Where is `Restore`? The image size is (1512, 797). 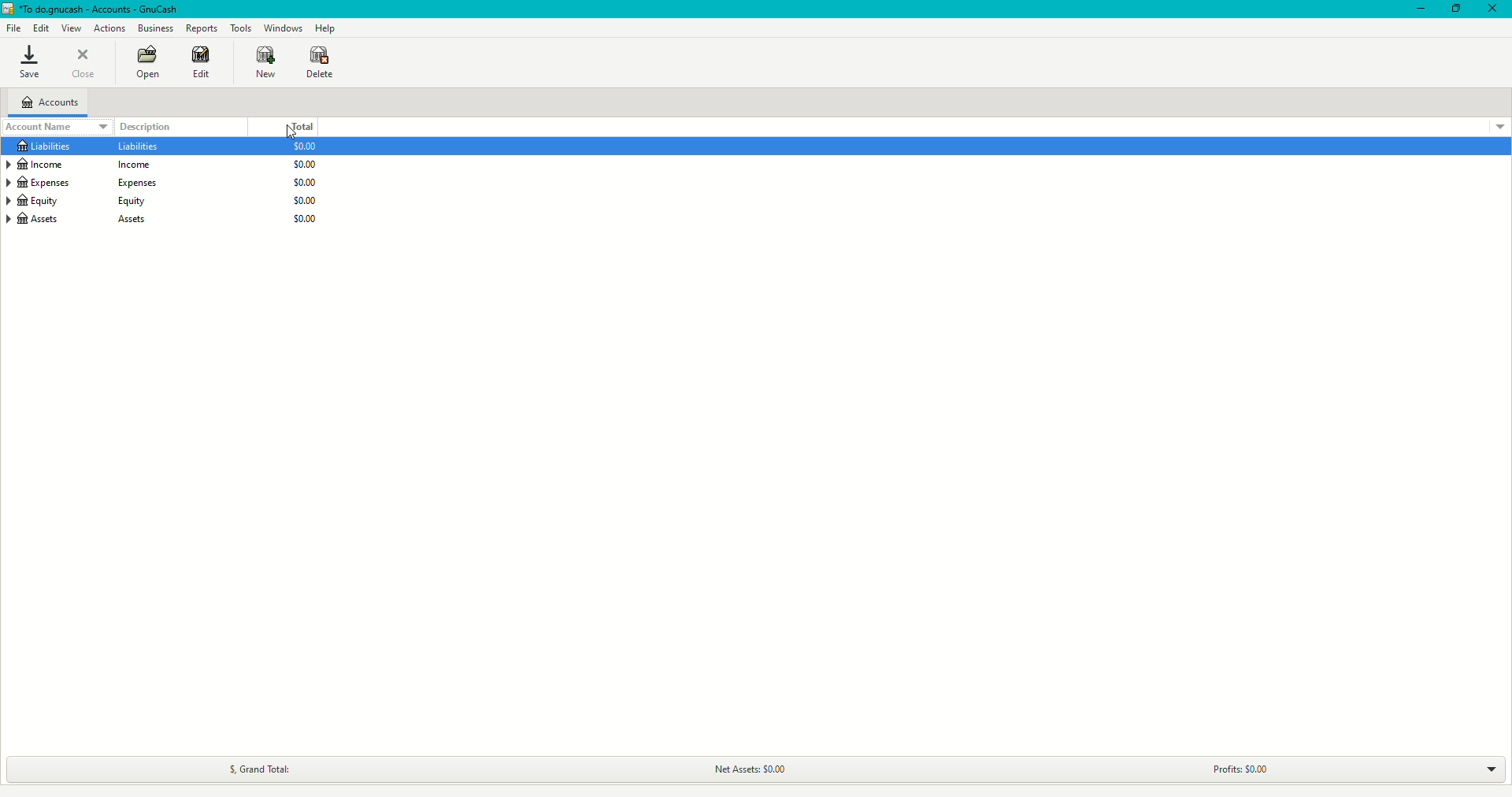 Restore is located at coordinates (1455, 8).